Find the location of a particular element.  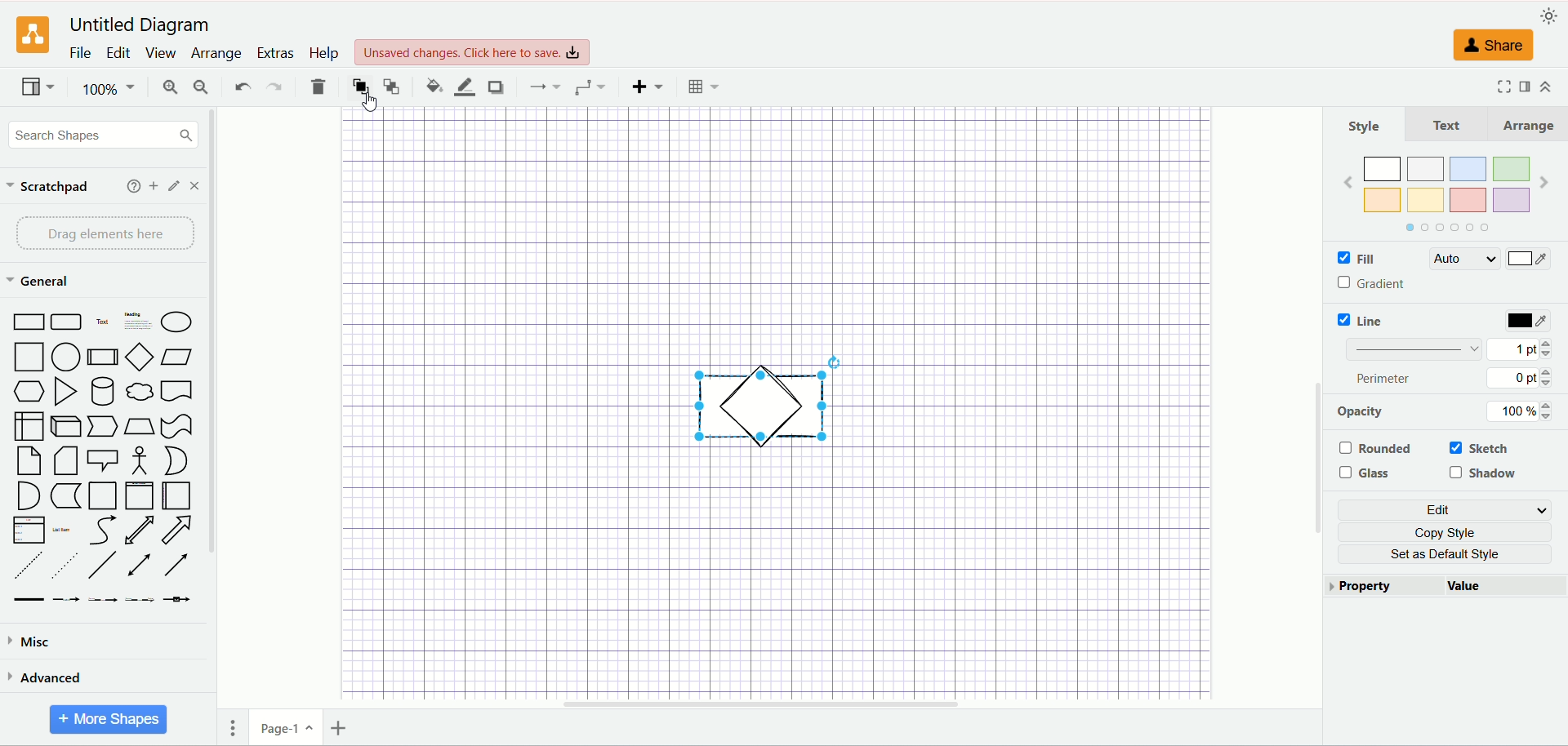

Fullscreen is located at coordinates (1494, 87).